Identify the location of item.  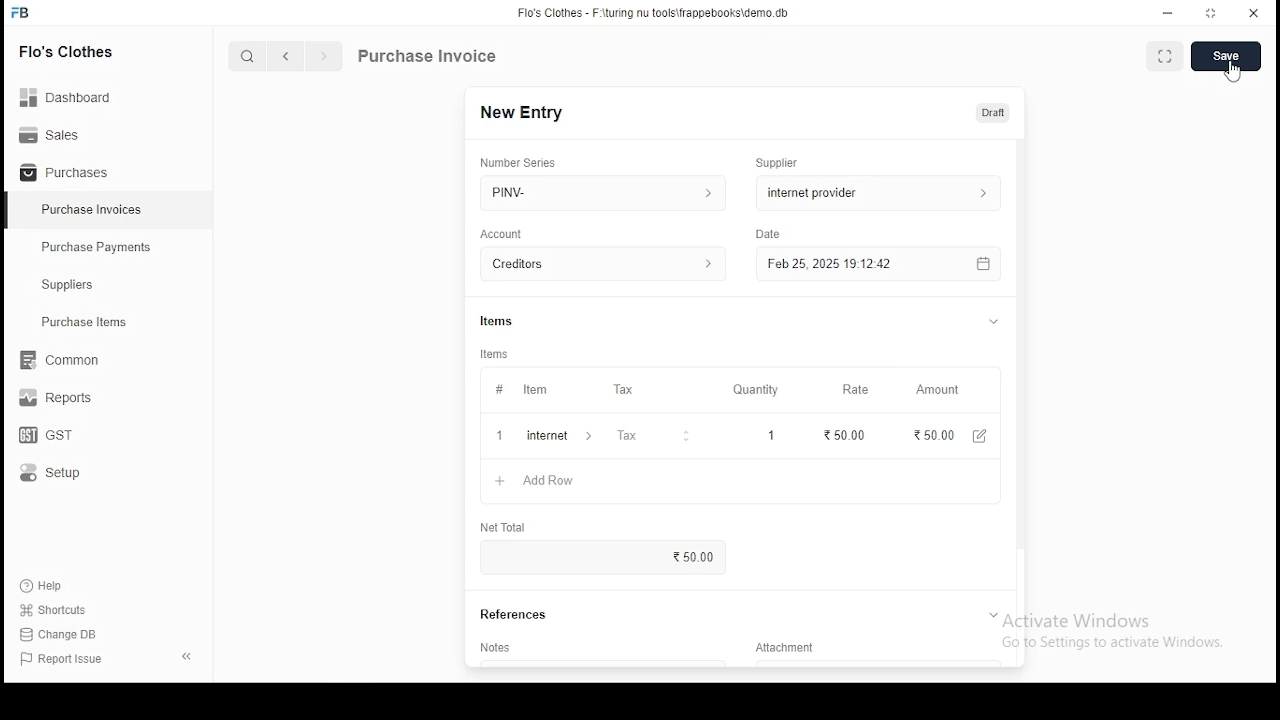
(534, 391).